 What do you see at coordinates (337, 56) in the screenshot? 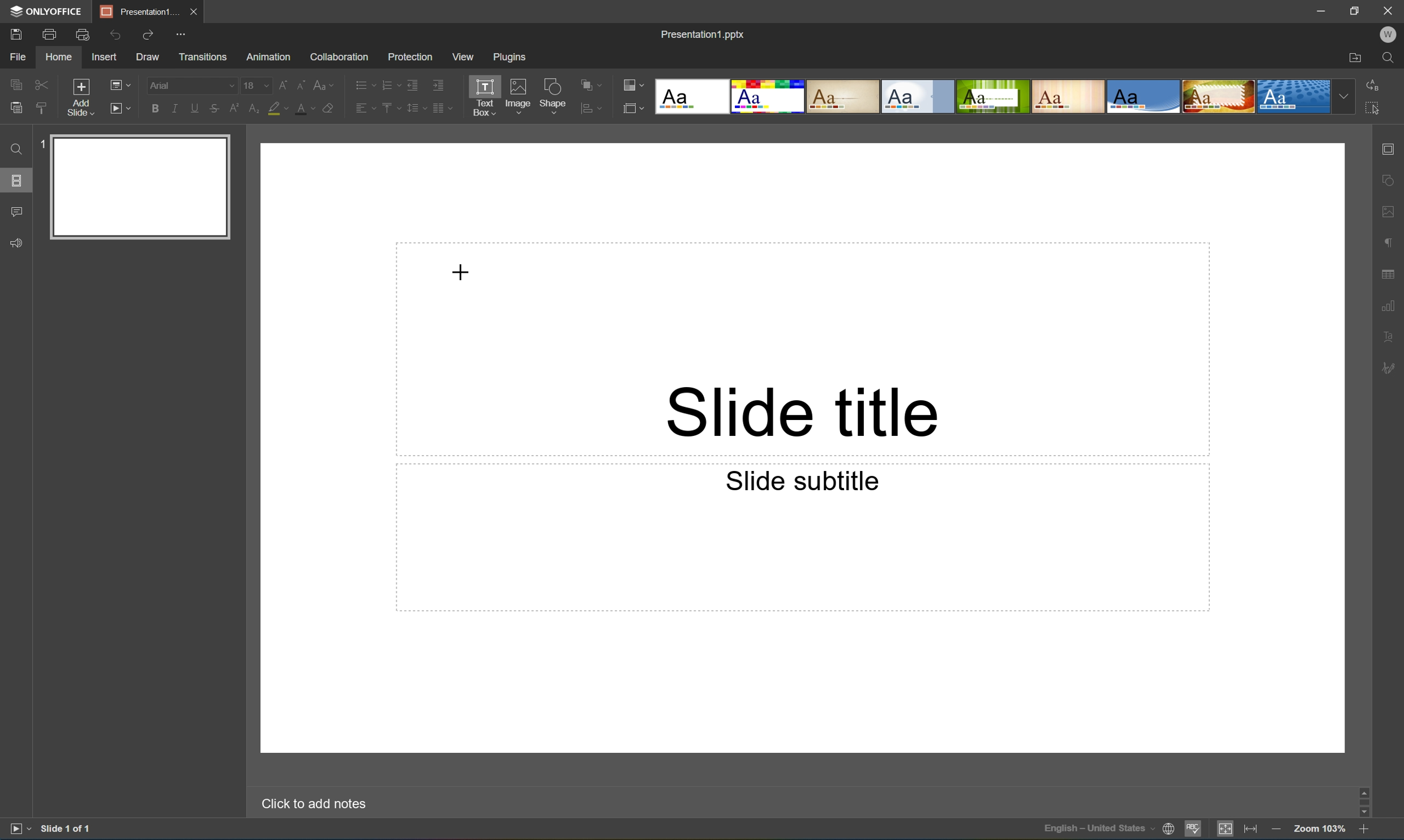
I see `Collaboration` at bounding box center [337, 56].